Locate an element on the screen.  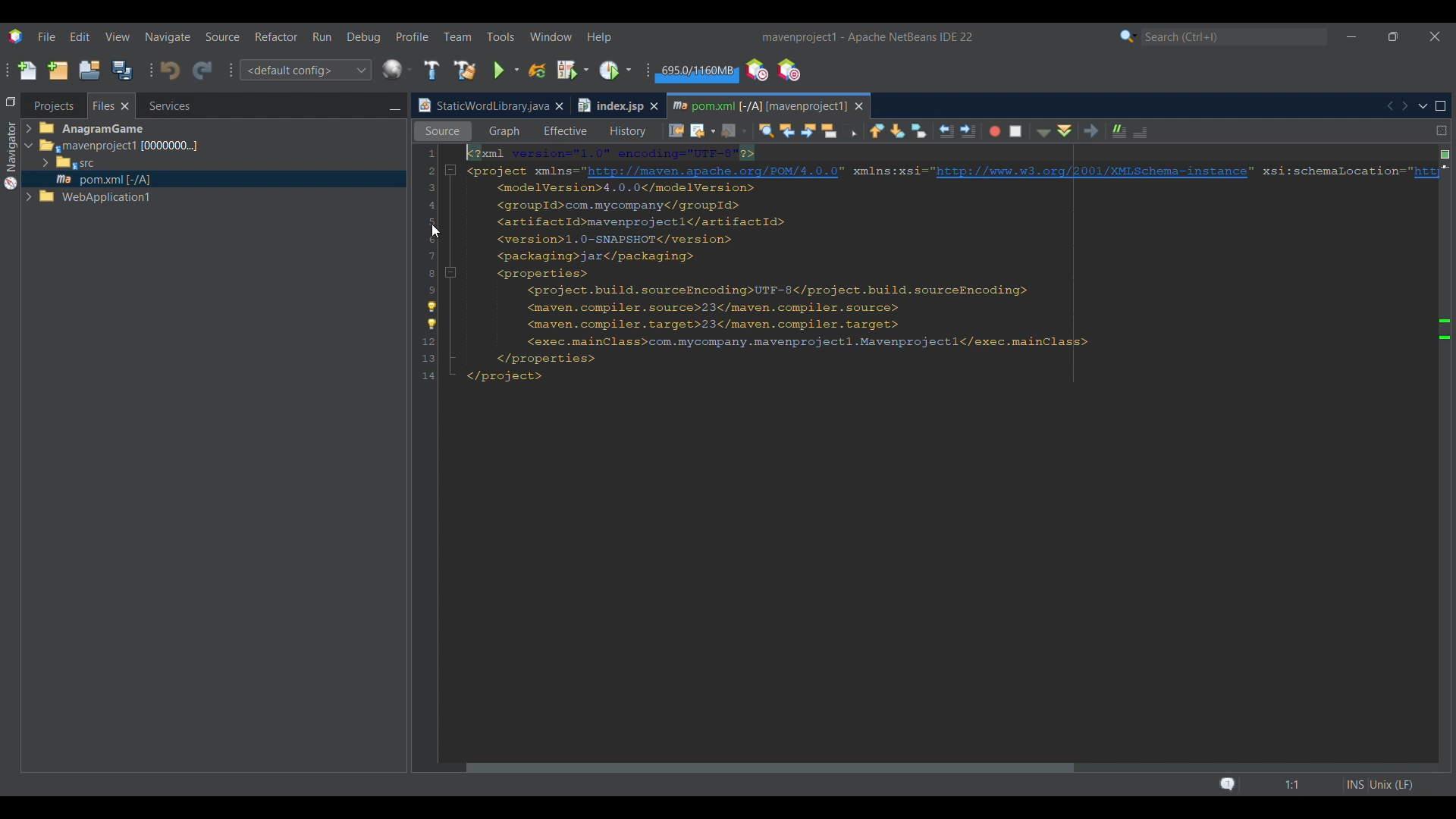
Show opened documents list is located at coordinates (1423, 107).